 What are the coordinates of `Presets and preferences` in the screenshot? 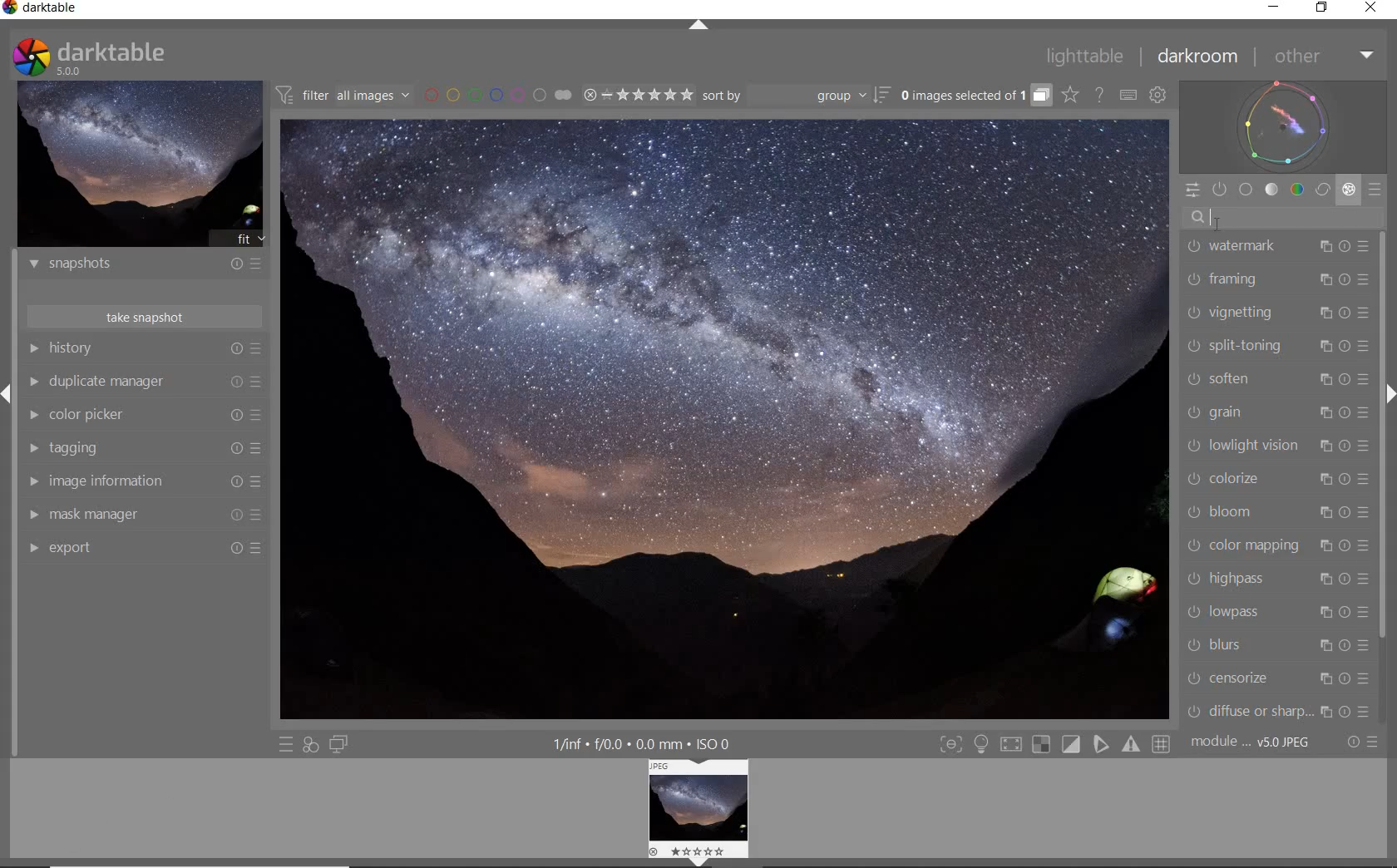 It's located at (259, 447).